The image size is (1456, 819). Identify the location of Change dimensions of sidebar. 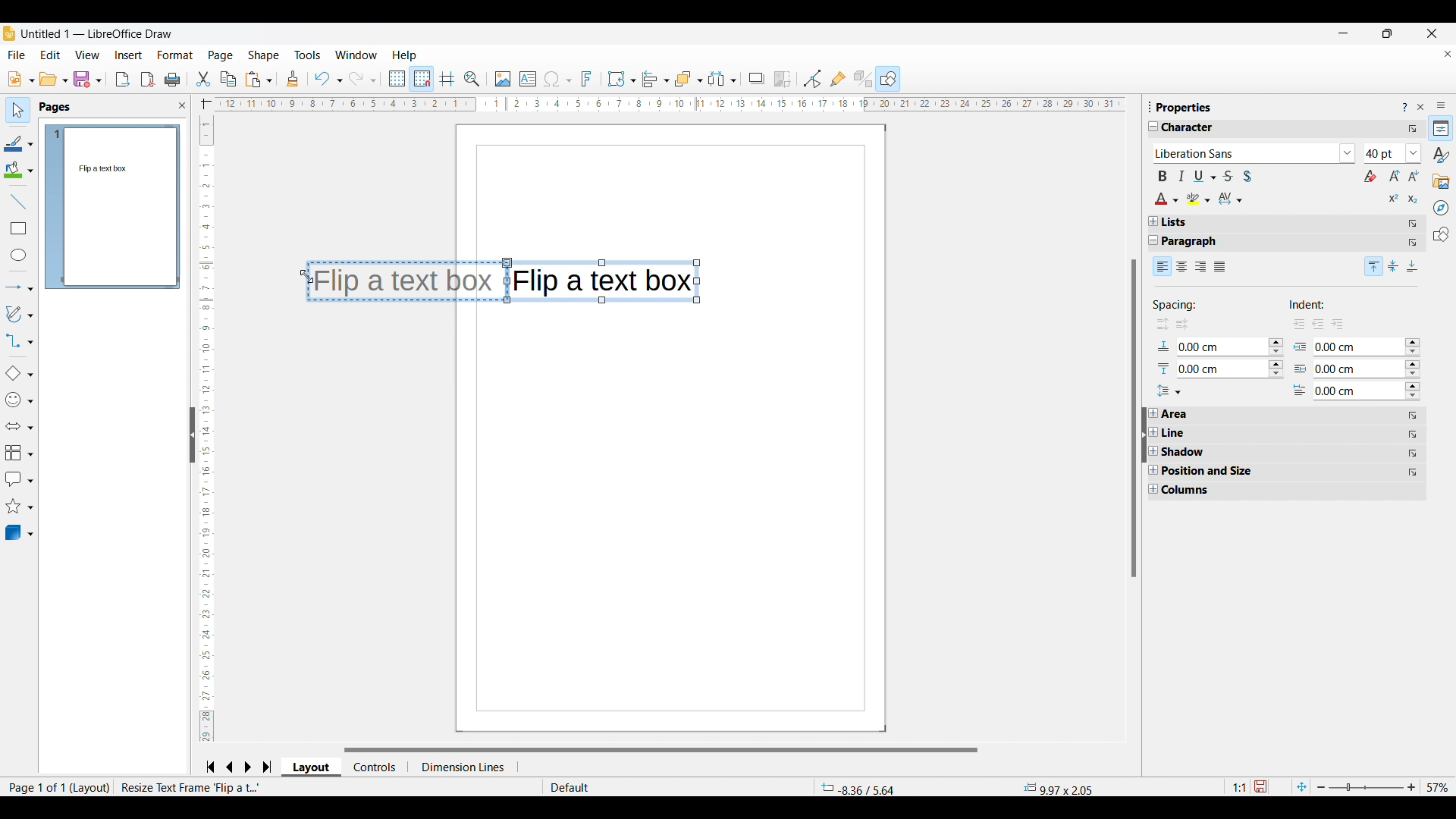
(1150, 106).